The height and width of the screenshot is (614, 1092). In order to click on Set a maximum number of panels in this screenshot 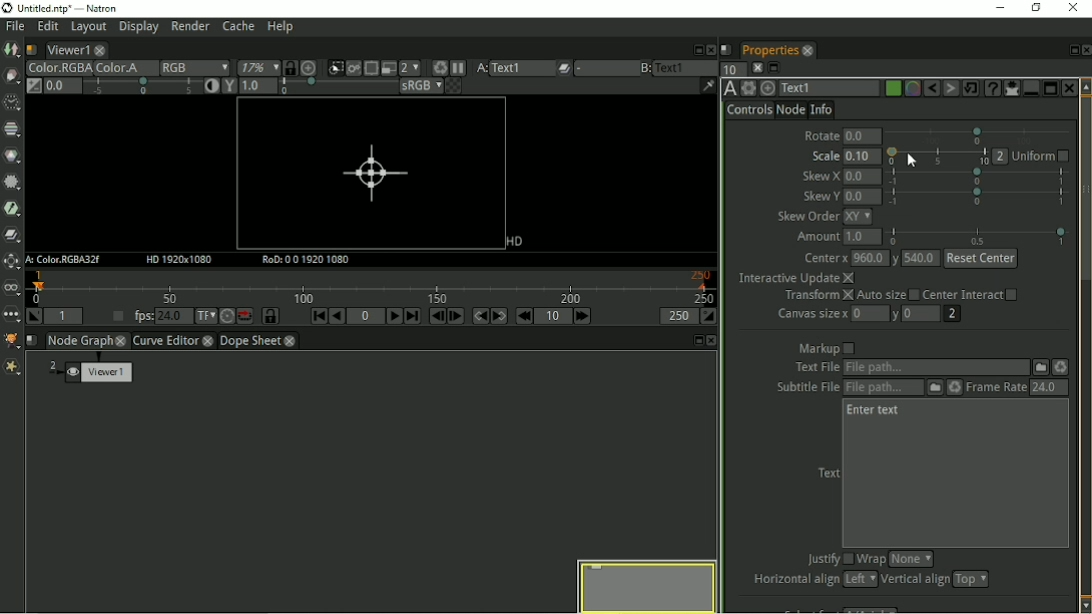, I will do `click(730, 69)`.